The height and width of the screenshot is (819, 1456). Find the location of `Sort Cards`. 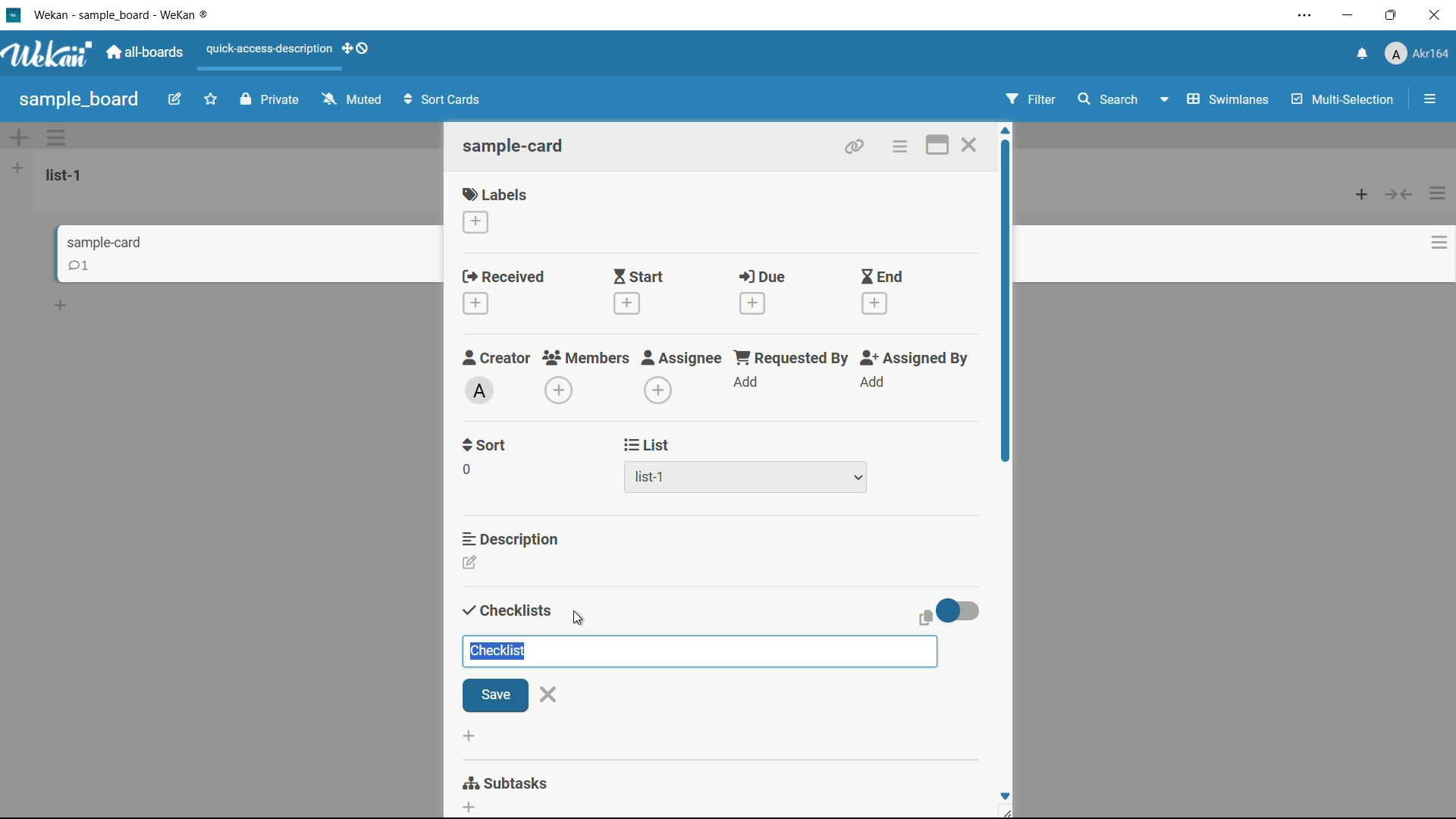

Sort Cards is located at coordinates (439, 99).